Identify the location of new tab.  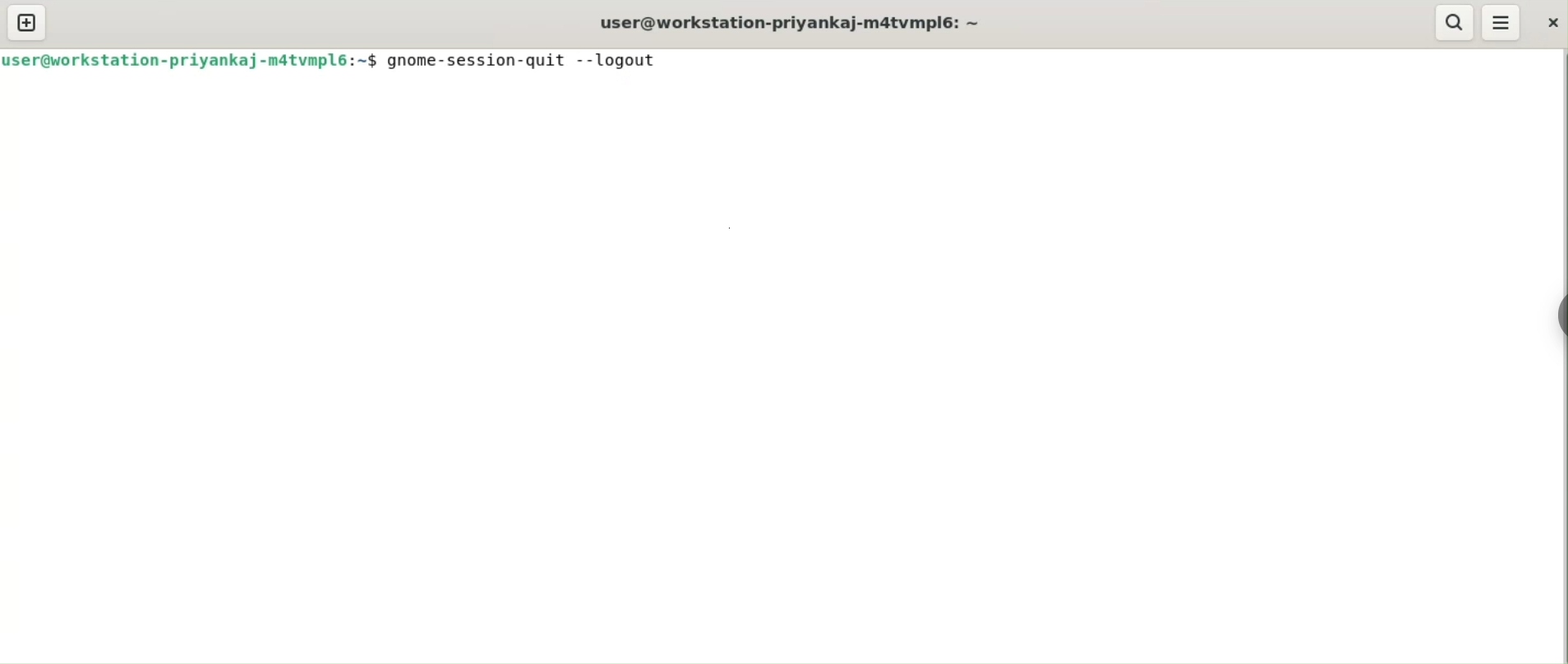
(26, 23).